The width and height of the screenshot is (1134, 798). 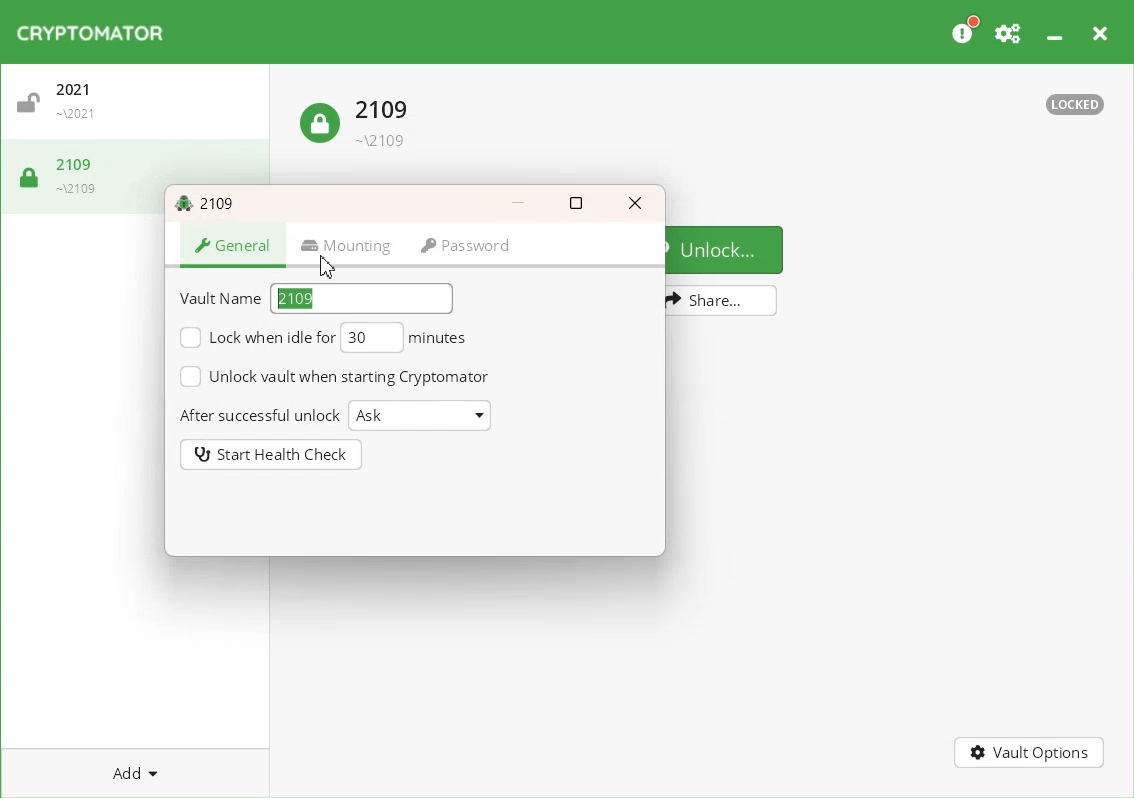 What do you see at coordinates (235, 246) in the screenshot?
I see `General` at bounding box center [235, 246].